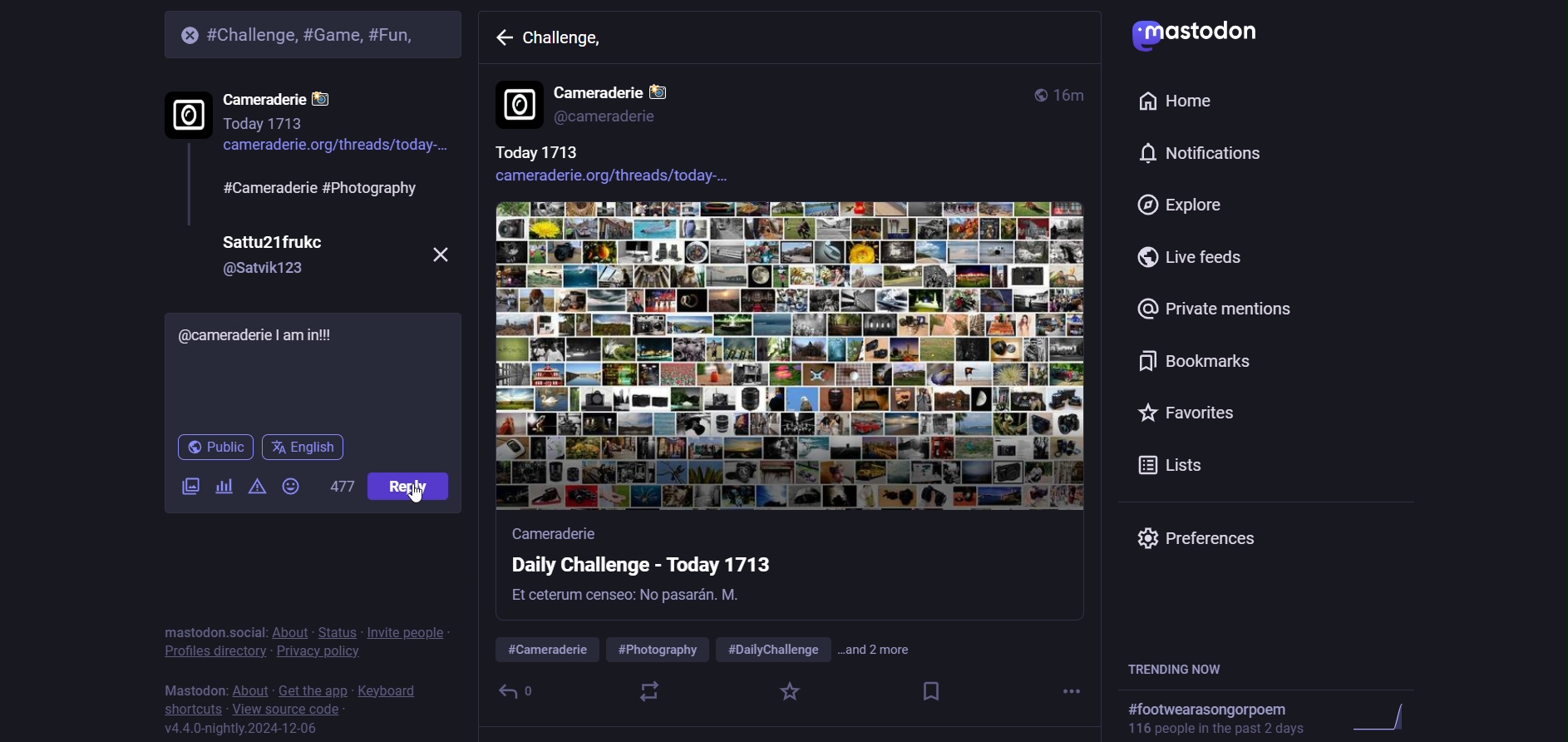 Image resolution: width=1568 pixels, height=742 pixels. I want to click on v4.4.0-nightly.2024-12-06, so click(246, 729).